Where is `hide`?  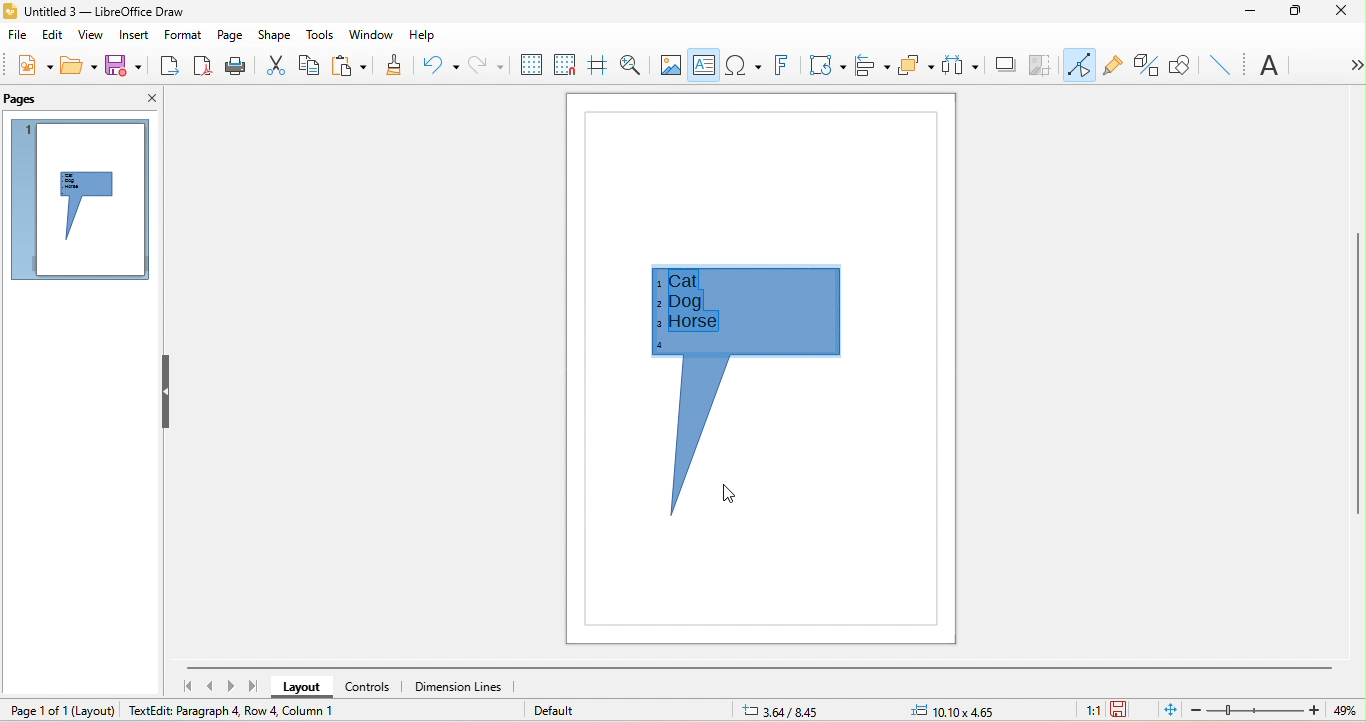
hide is located at coordinates (163, 392).